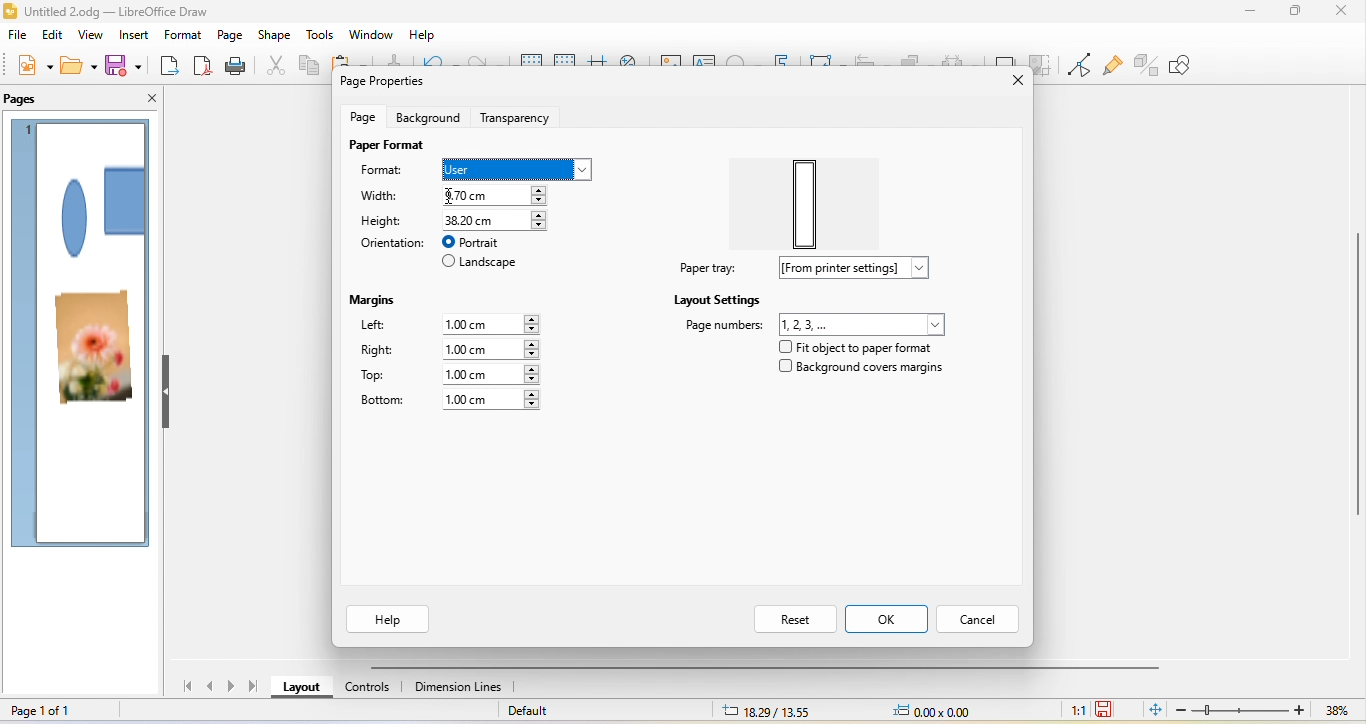 This screenshot has height=724, width=1366. Describe the element at coordinates (494, 193) in the screenshot. I see `9.70 cm` at that location.